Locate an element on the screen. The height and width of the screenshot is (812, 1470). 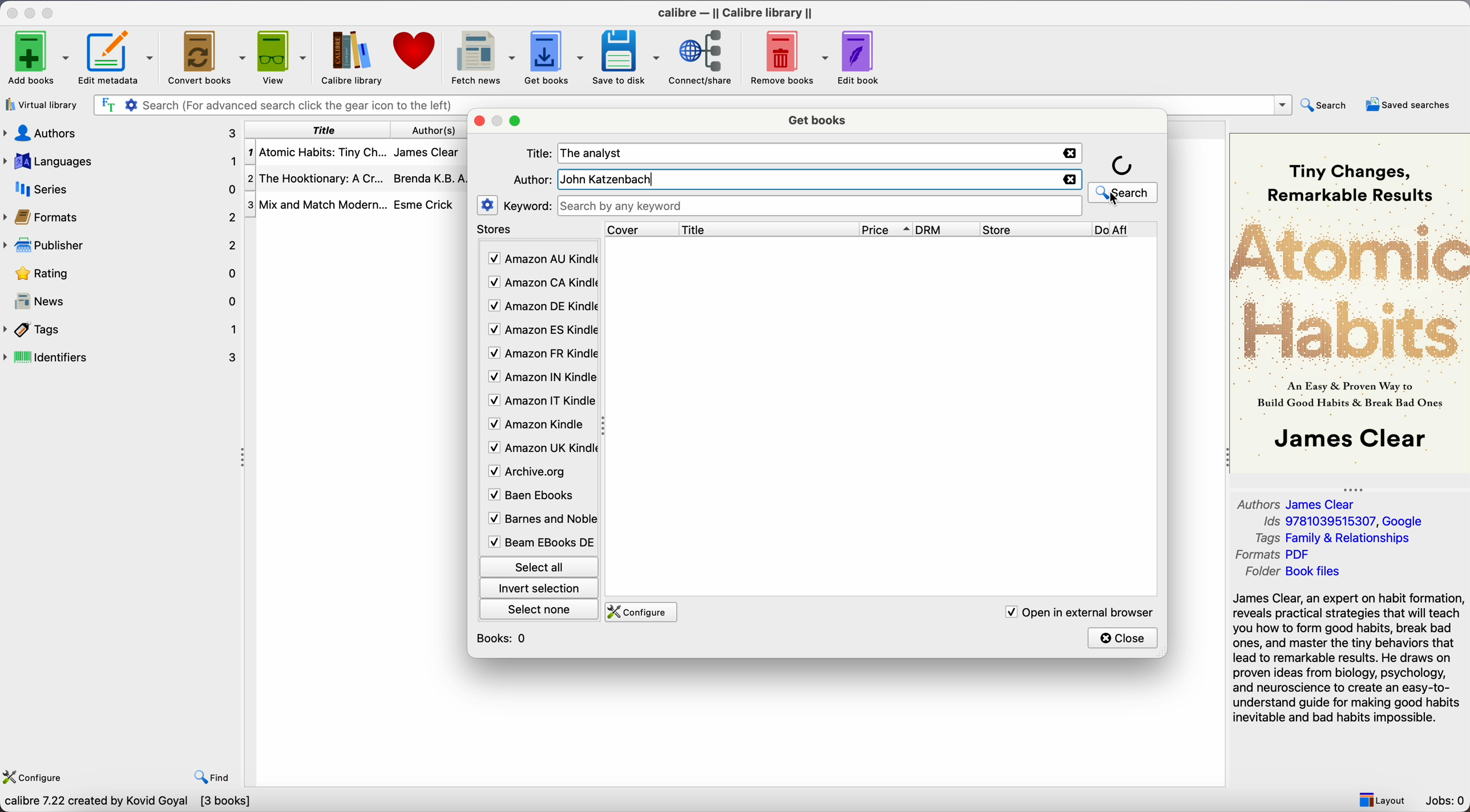
Mix and Mtach Modern... is located at coordinates (315, 204).